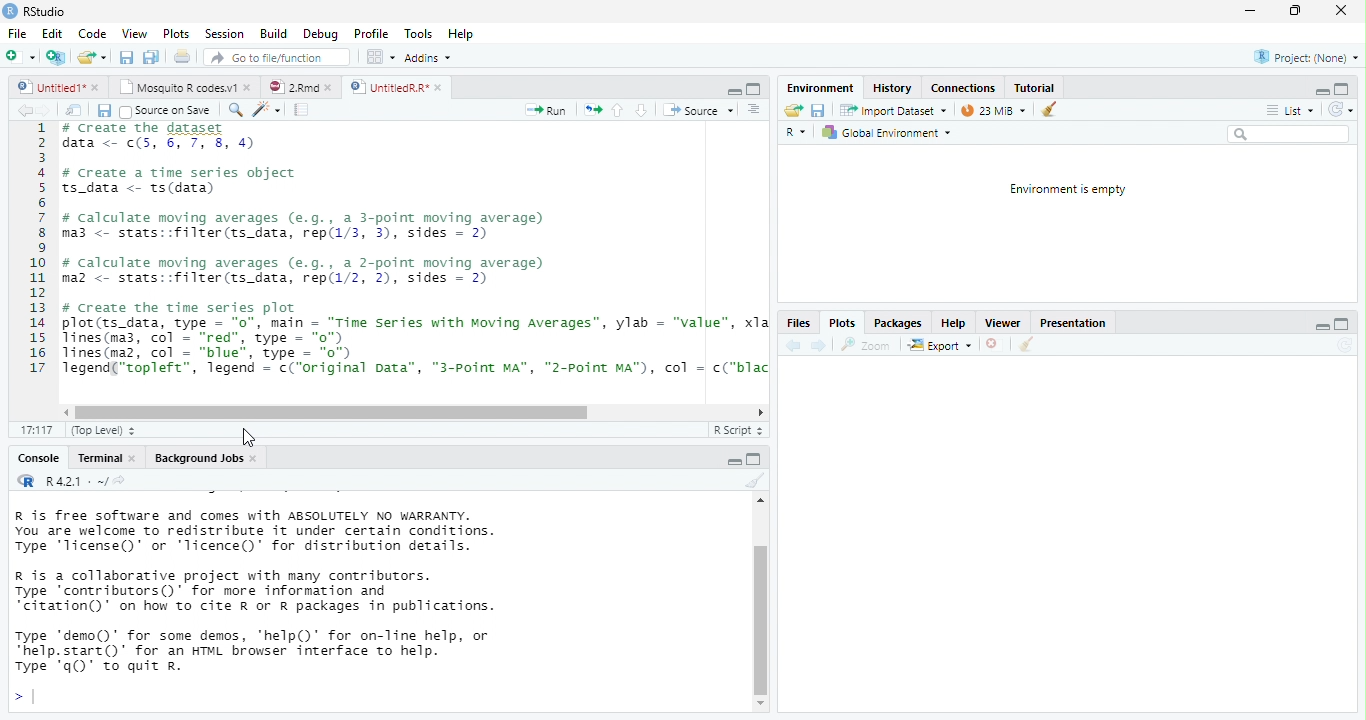 The width and height of the screenshot is (1366, 720). What do you see at coordinates (103, 111) in the screenshot?
I see `save` at bounding box center [103, 111].